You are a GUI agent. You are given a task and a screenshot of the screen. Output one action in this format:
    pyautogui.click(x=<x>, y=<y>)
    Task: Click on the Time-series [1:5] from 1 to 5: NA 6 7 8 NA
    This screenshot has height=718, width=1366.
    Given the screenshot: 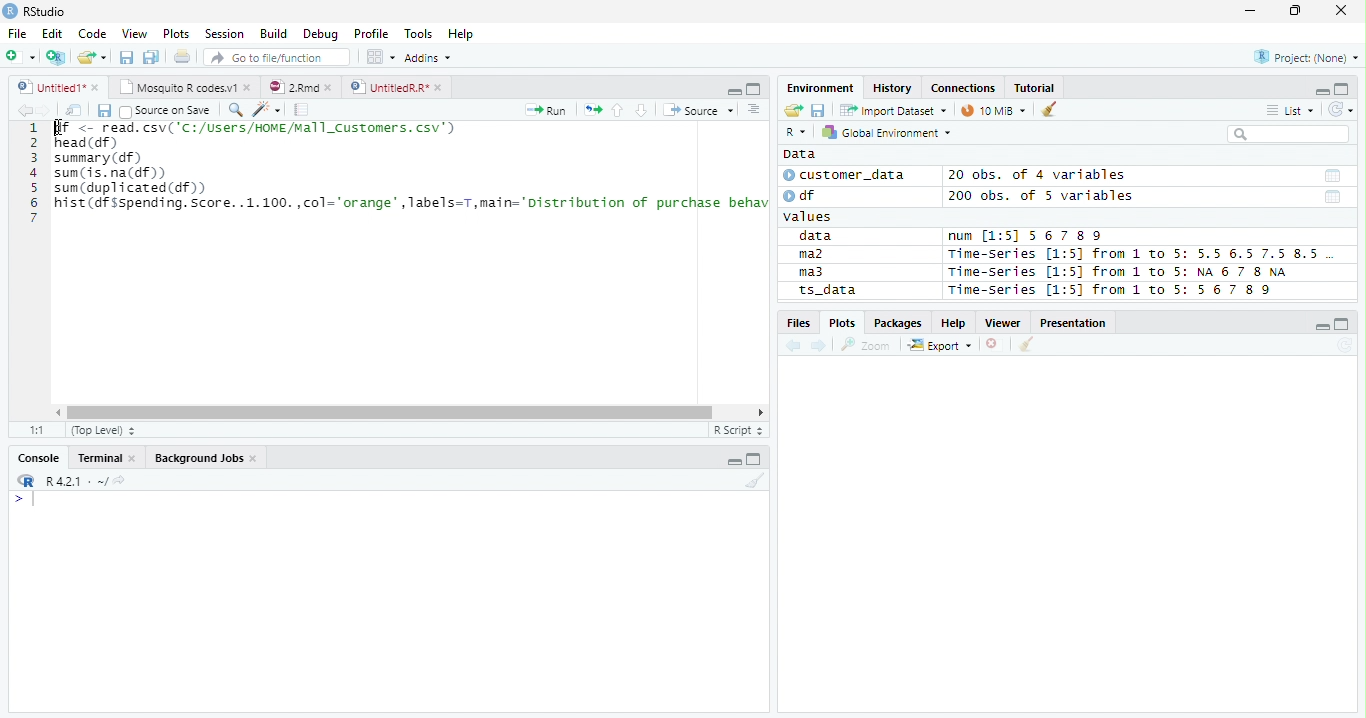 What is the action you would take?
    pyautogui.click(x=1126, y=273)
    